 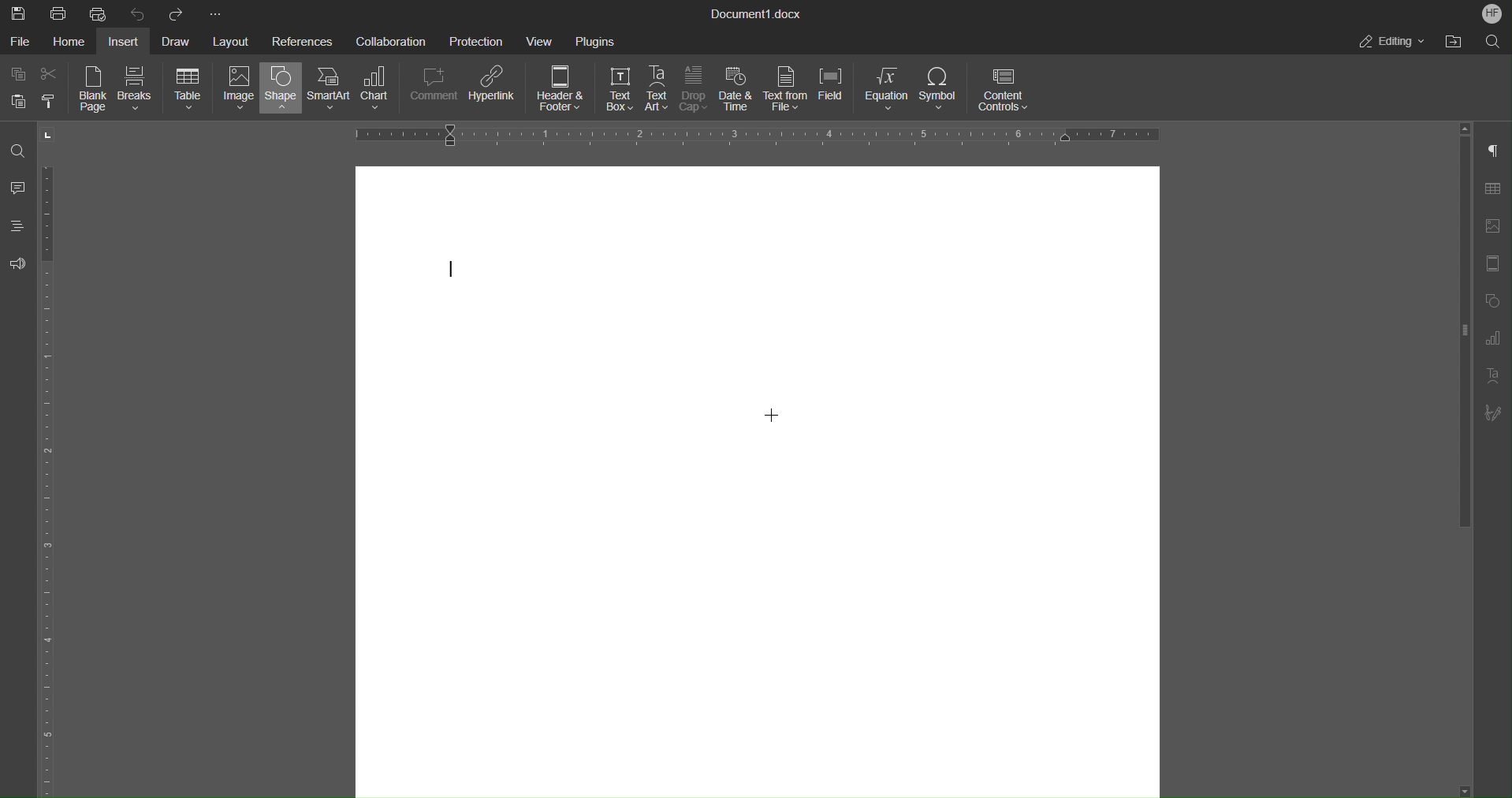 What do you see at coordinates (595, 40) in the screenshot?
I see `Plugins` at bounding box center [595, 40].